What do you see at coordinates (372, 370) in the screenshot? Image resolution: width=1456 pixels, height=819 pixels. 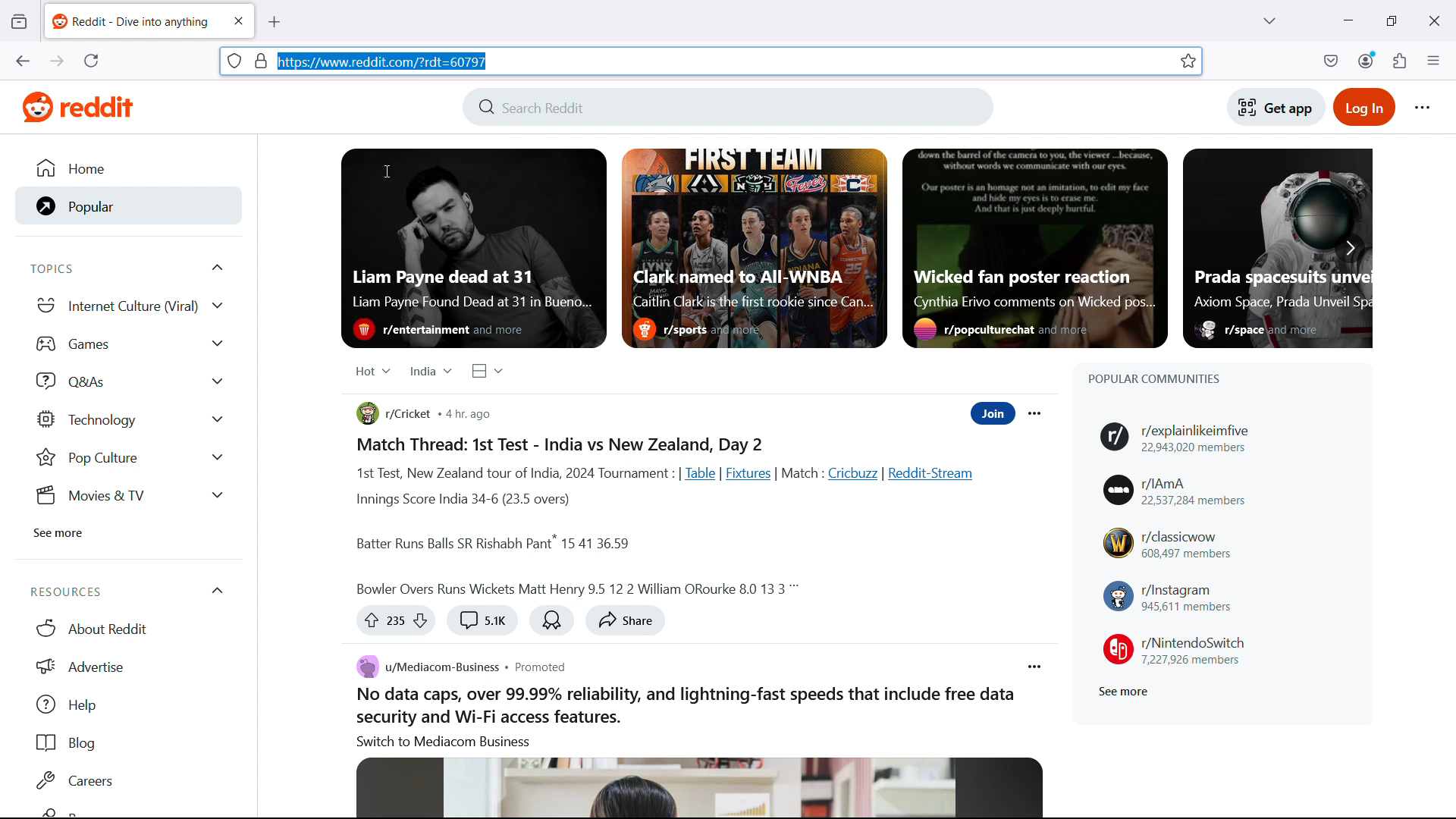 I see `Select relevance` at bounding box center [372, 370].